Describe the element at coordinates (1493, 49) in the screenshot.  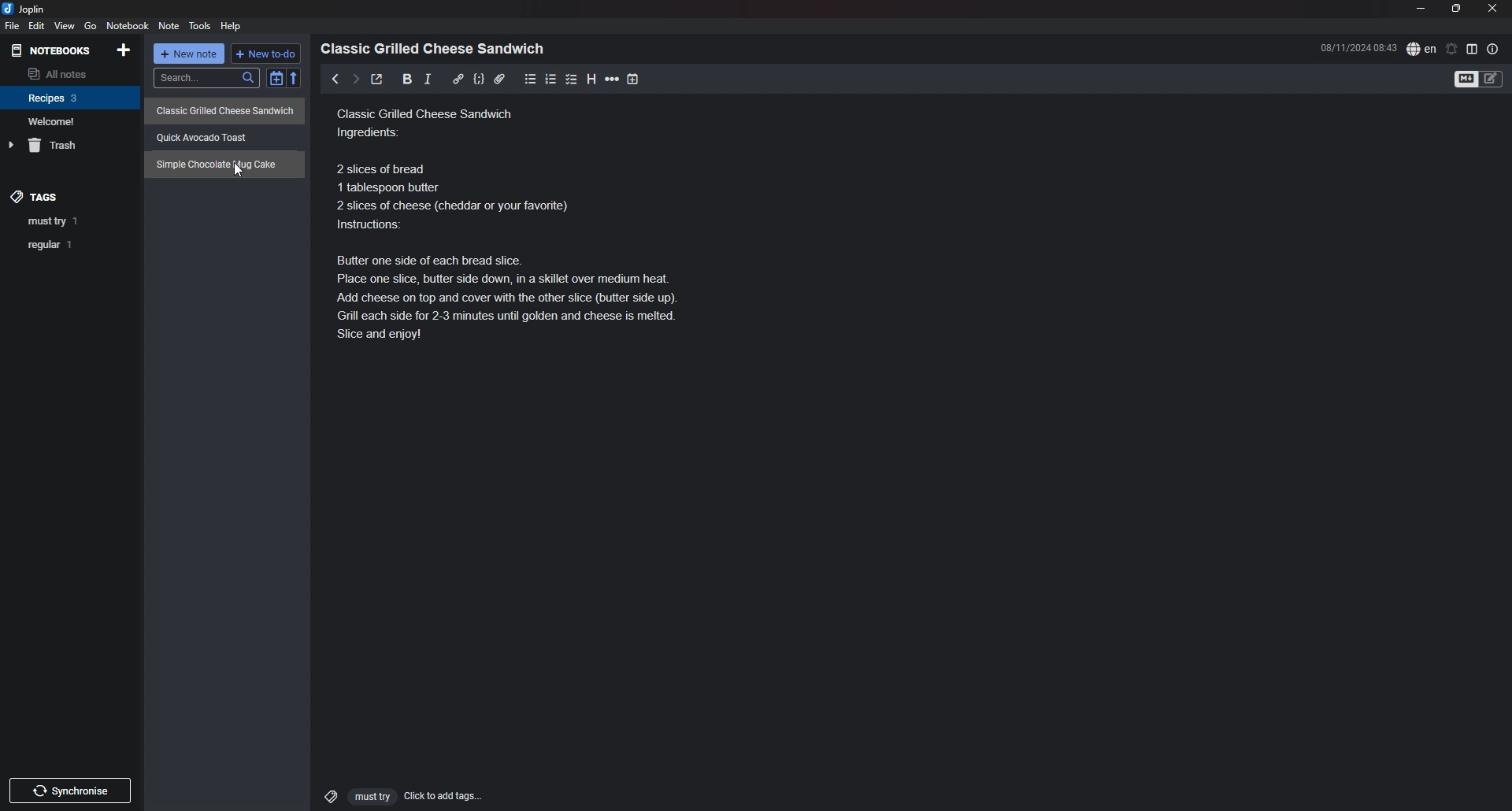
I see `note properties` at that location.